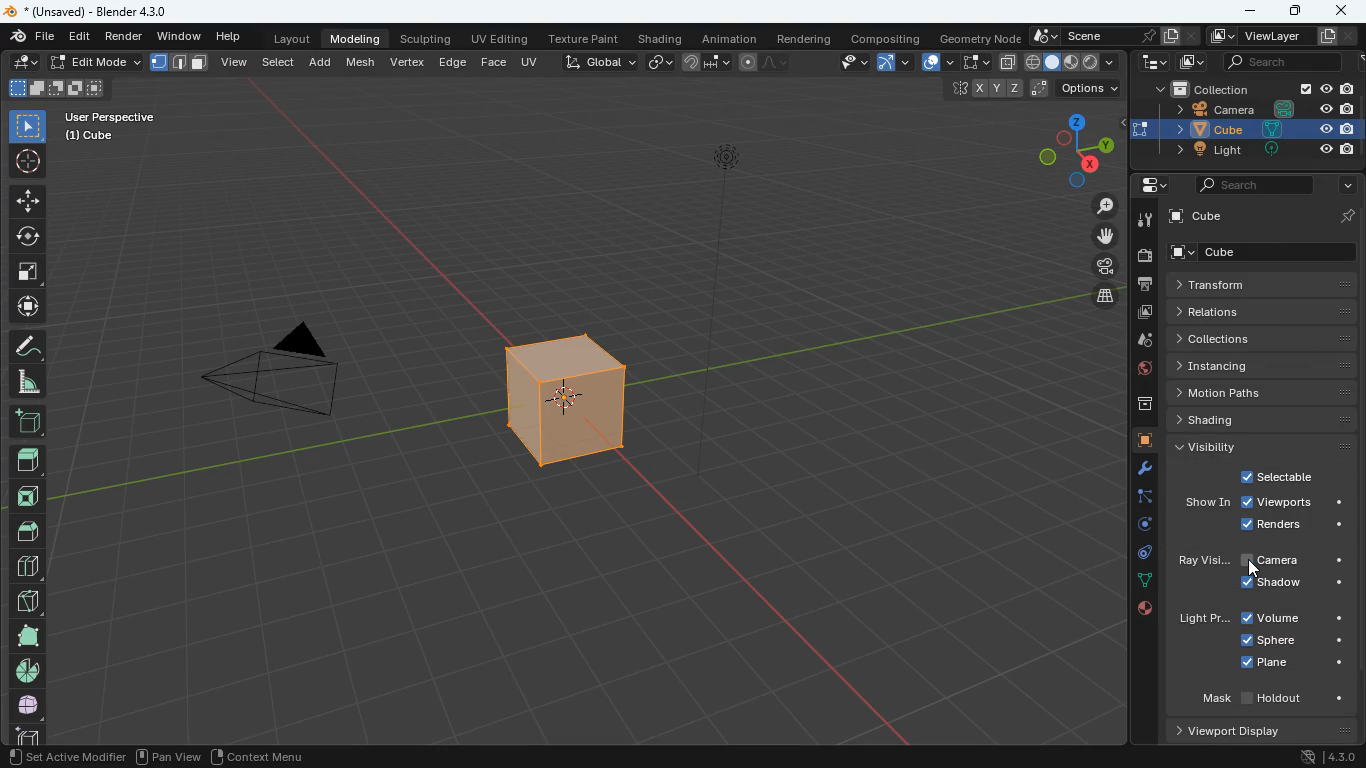  What do you see at coordinates (1137, 498) in the screenshot?
I see `edge` at bounding box center [1137, 498].